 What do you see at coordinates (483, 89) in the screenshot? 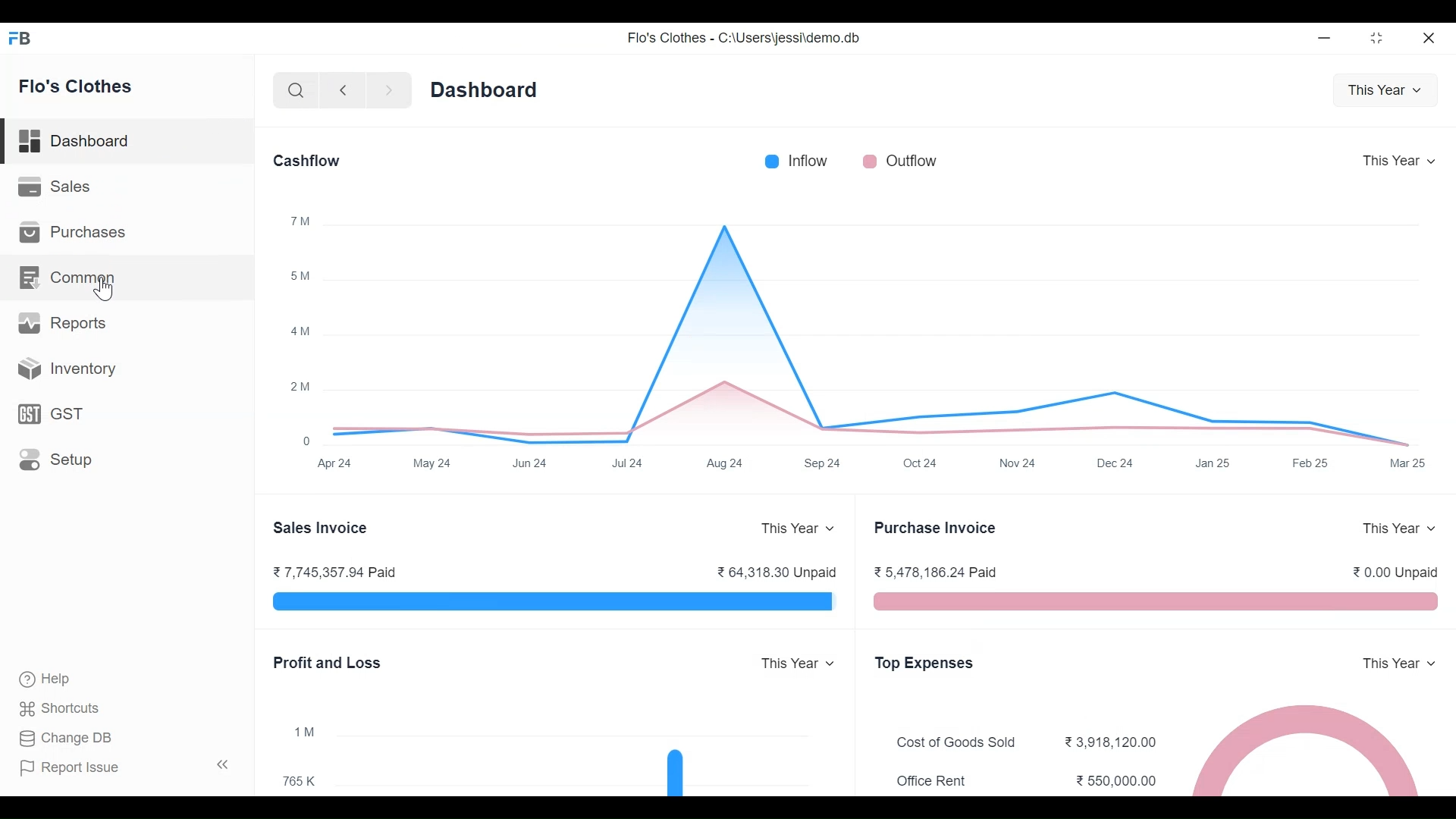
I see `Dashboard` at bounding box center [483, 89].